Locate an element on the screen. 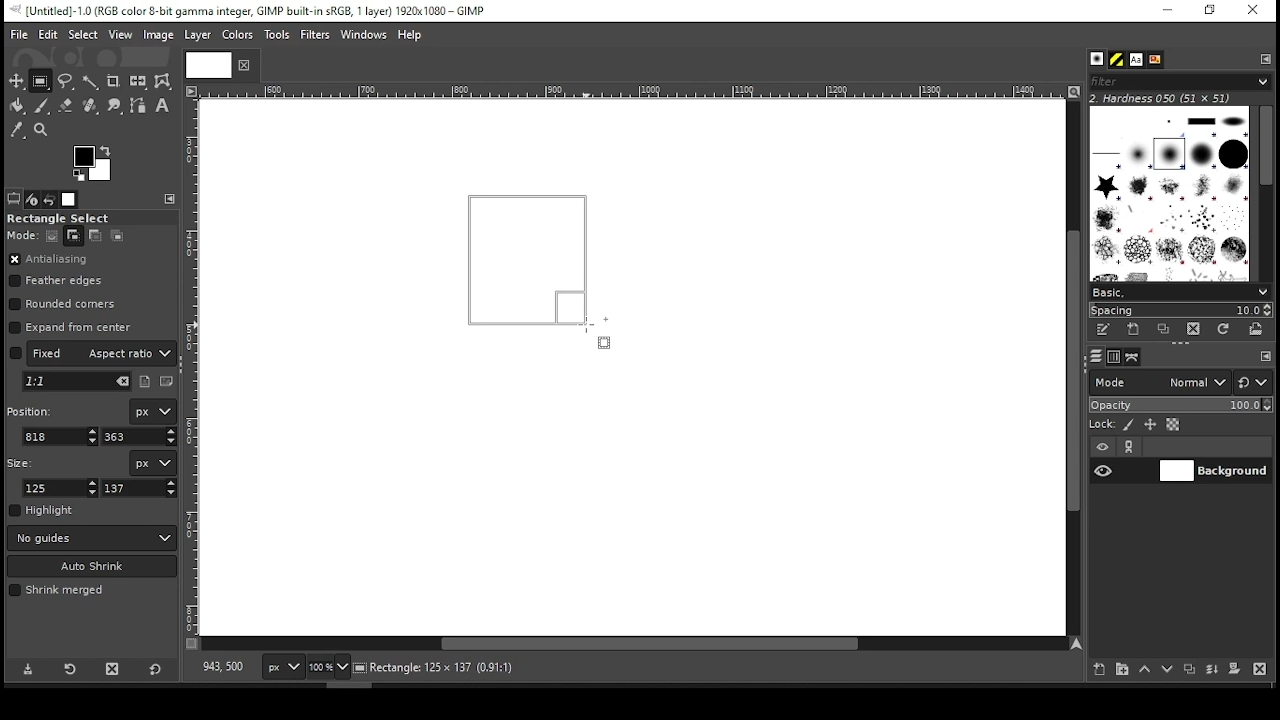 The width and height of the screenshot is (1280, 720). configure this tab is located at coordinates (172, 199).